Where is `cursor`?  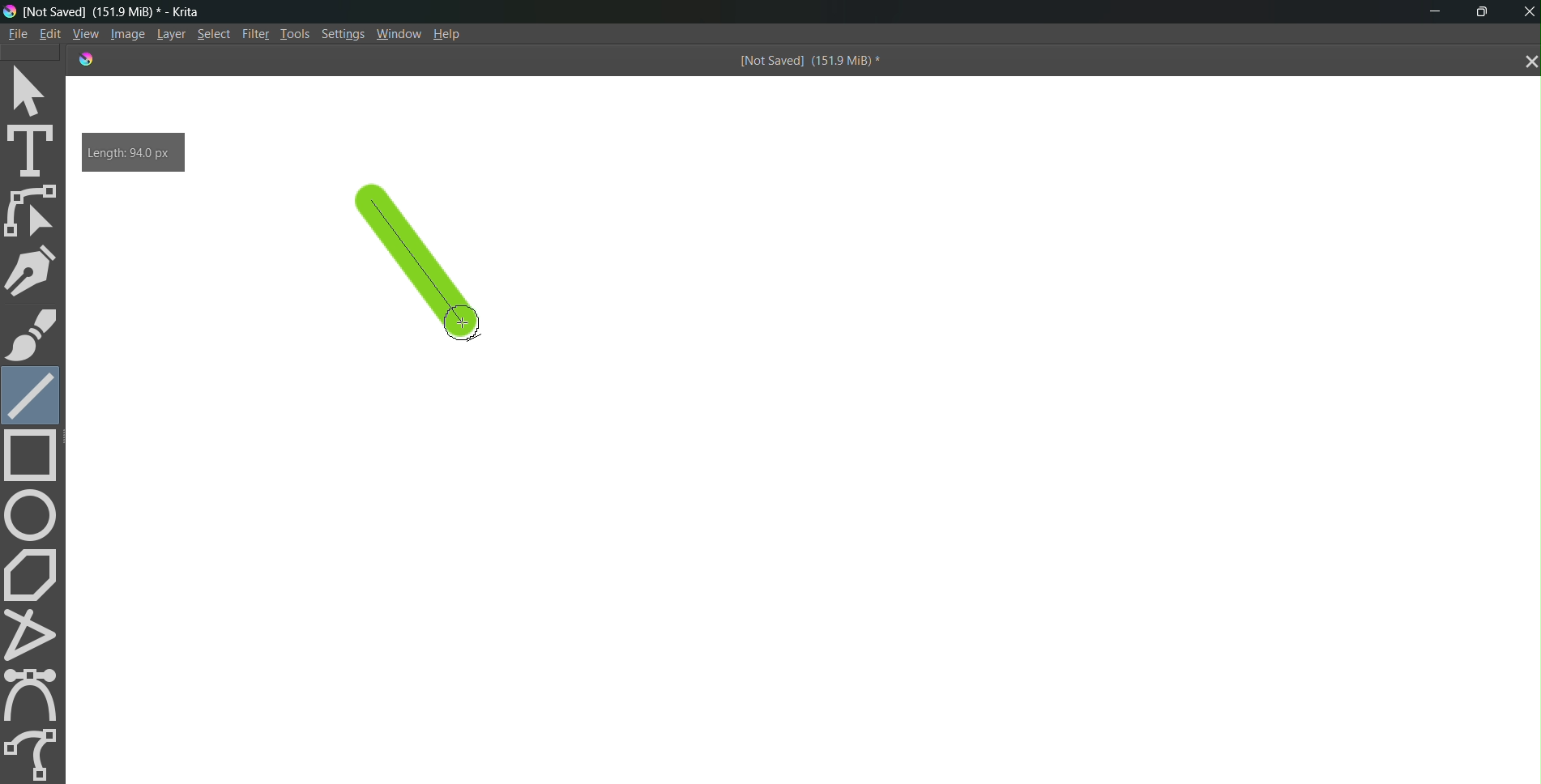 cursor is located at coordinates (461, 321).